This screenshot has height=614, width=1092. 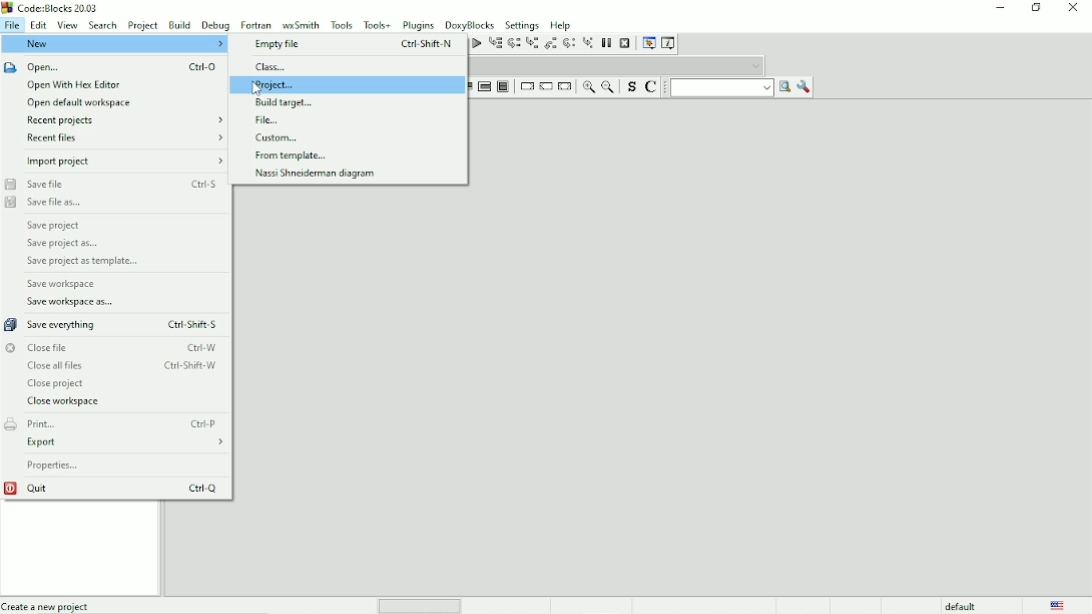 What do you see at coordinates (270, 120) in the screenshot?
I see `File` at bounding box center [270, 120].